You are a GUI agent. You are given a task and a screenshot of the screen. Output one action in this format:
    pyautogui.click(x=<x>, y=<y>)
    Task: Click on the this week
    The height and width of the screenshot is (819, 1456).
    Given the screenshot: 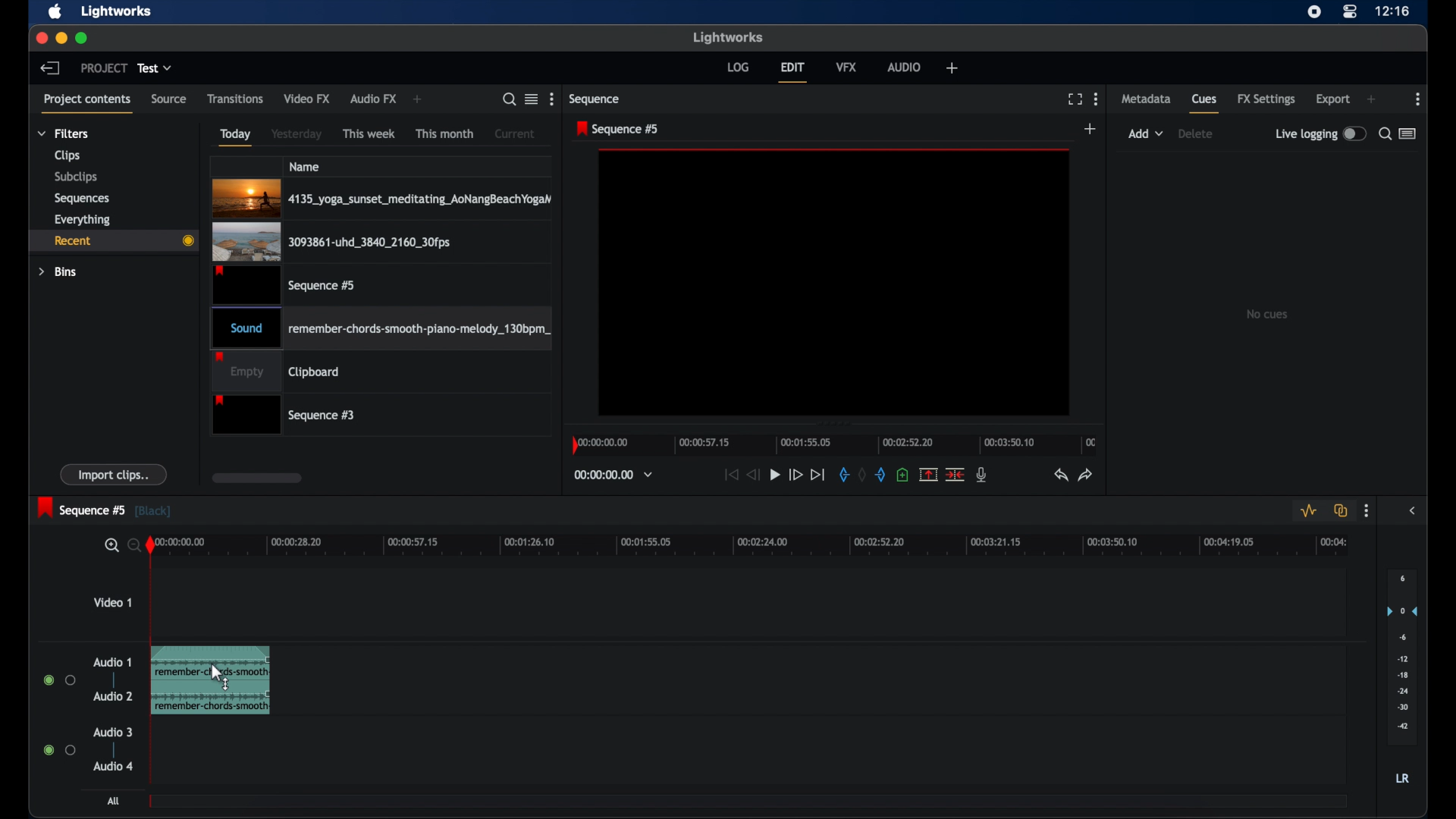 What is the action you would take?
    pyautogui.click(x=370, y=133)
    